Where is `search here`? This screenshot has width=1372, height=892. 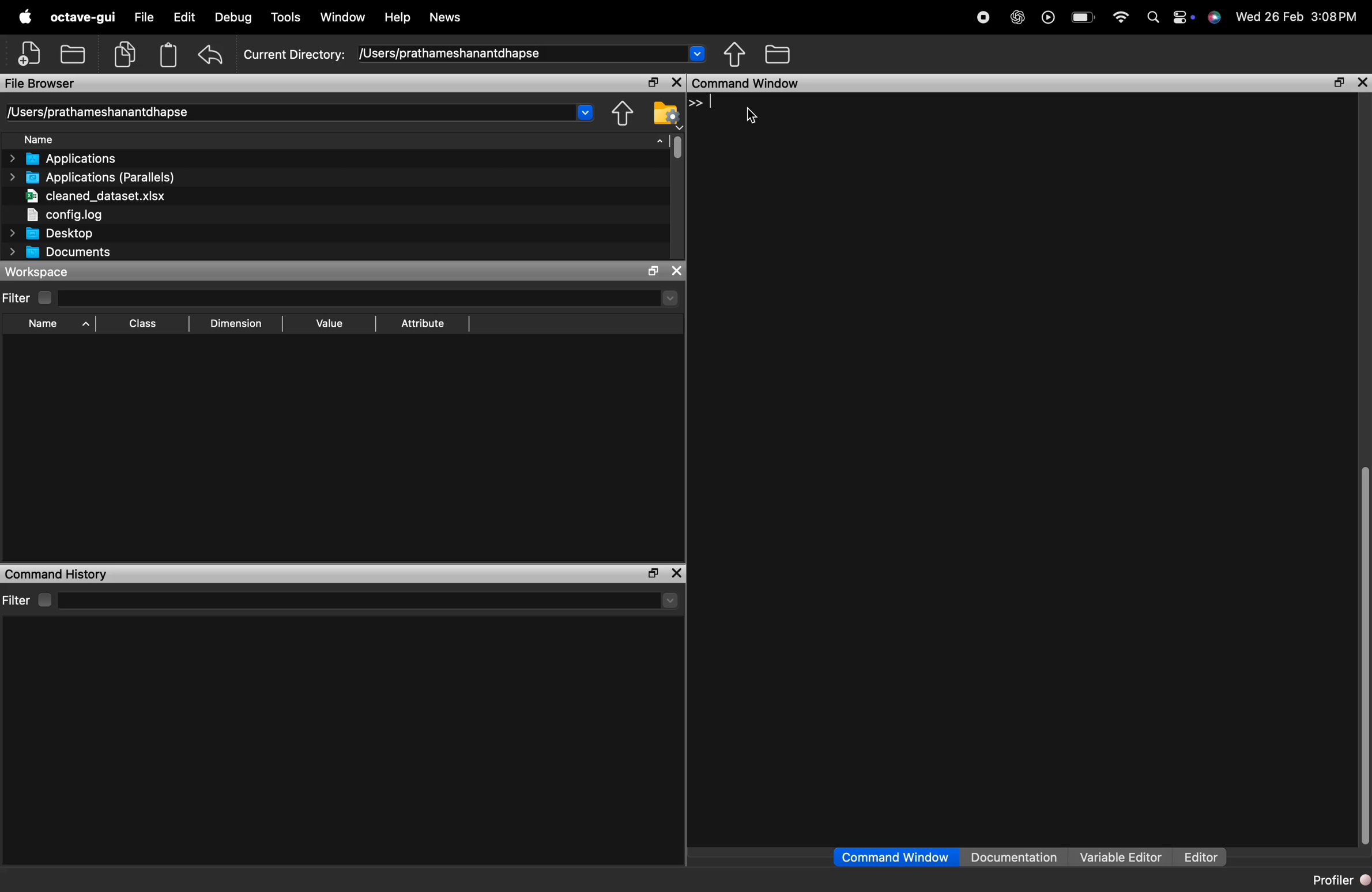 search here is located at coordinates (368, 601).